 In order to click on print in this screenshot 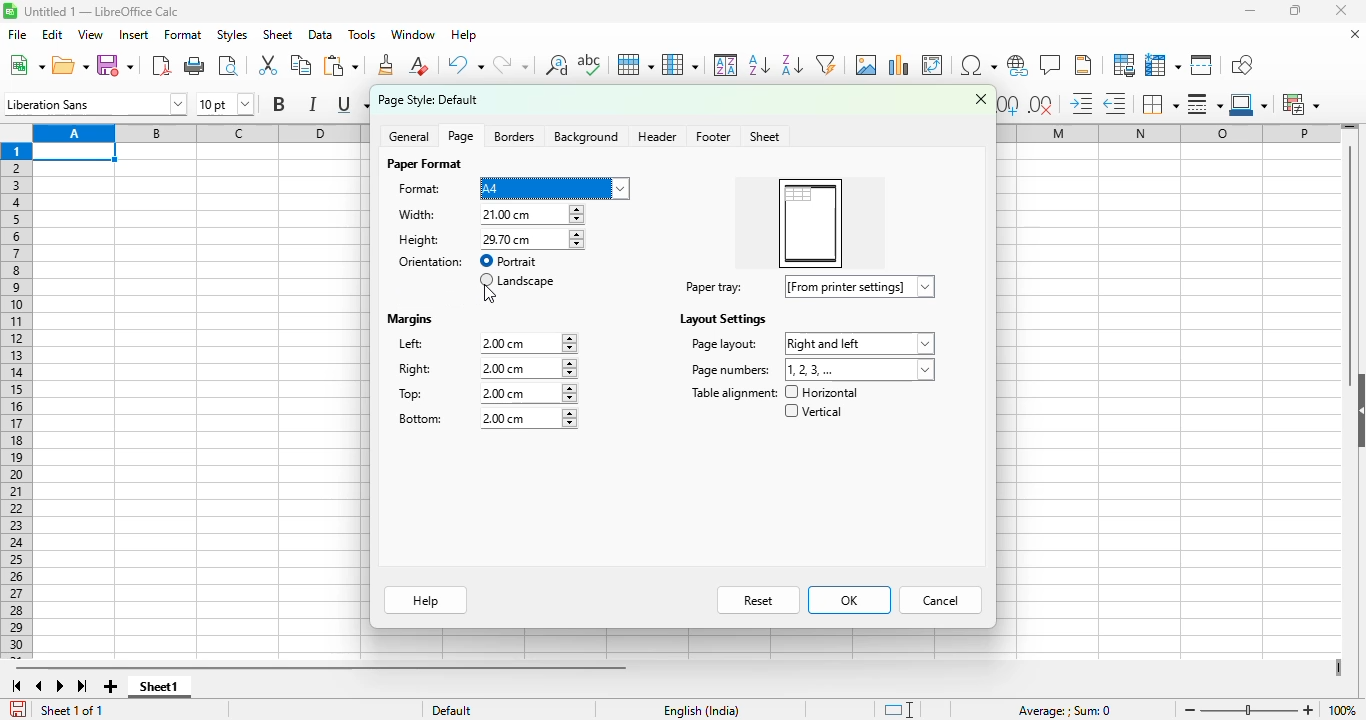, I will do `click(196, 66)`.